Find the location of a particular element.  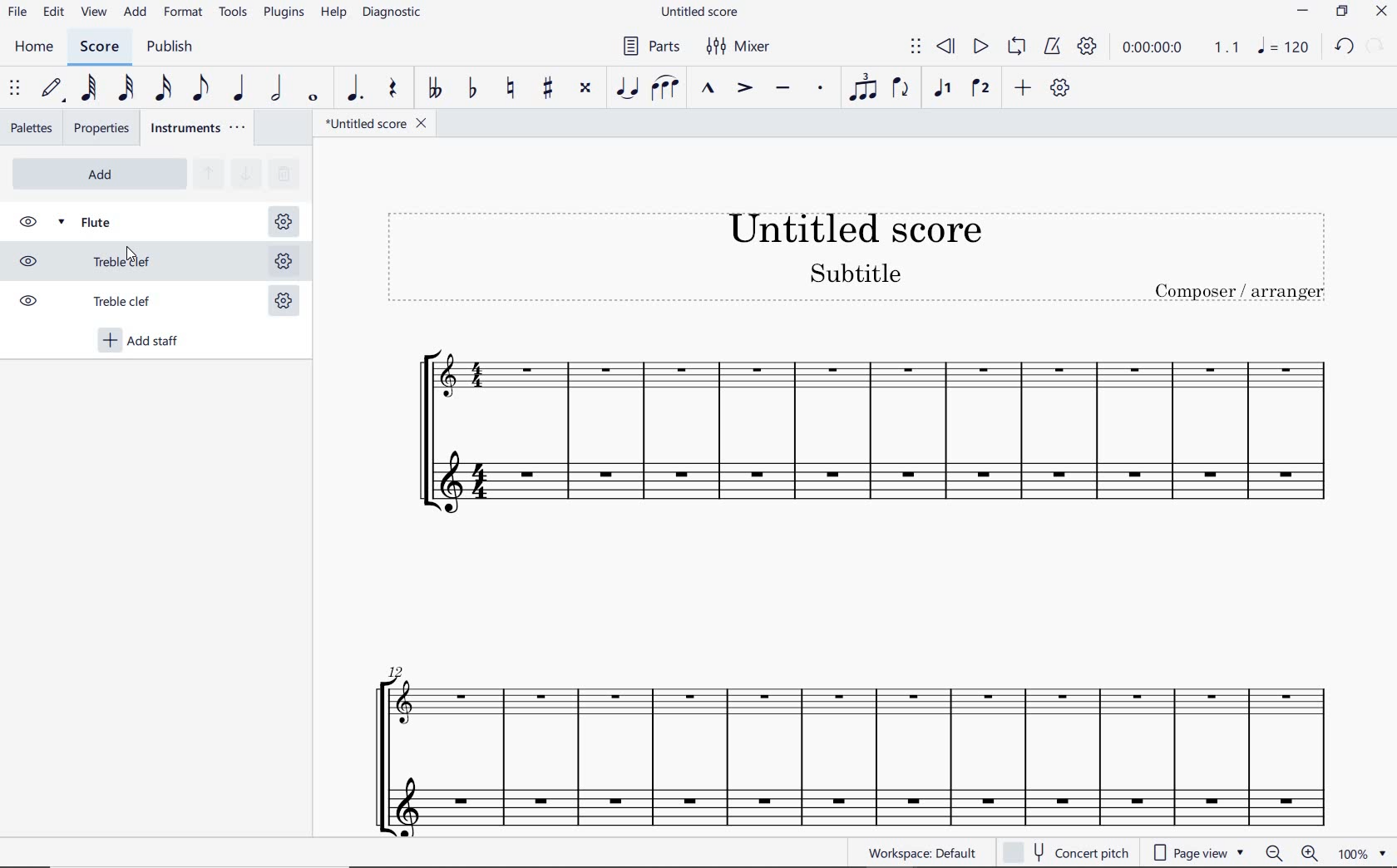

undo is located at coordinates (1345, 47).